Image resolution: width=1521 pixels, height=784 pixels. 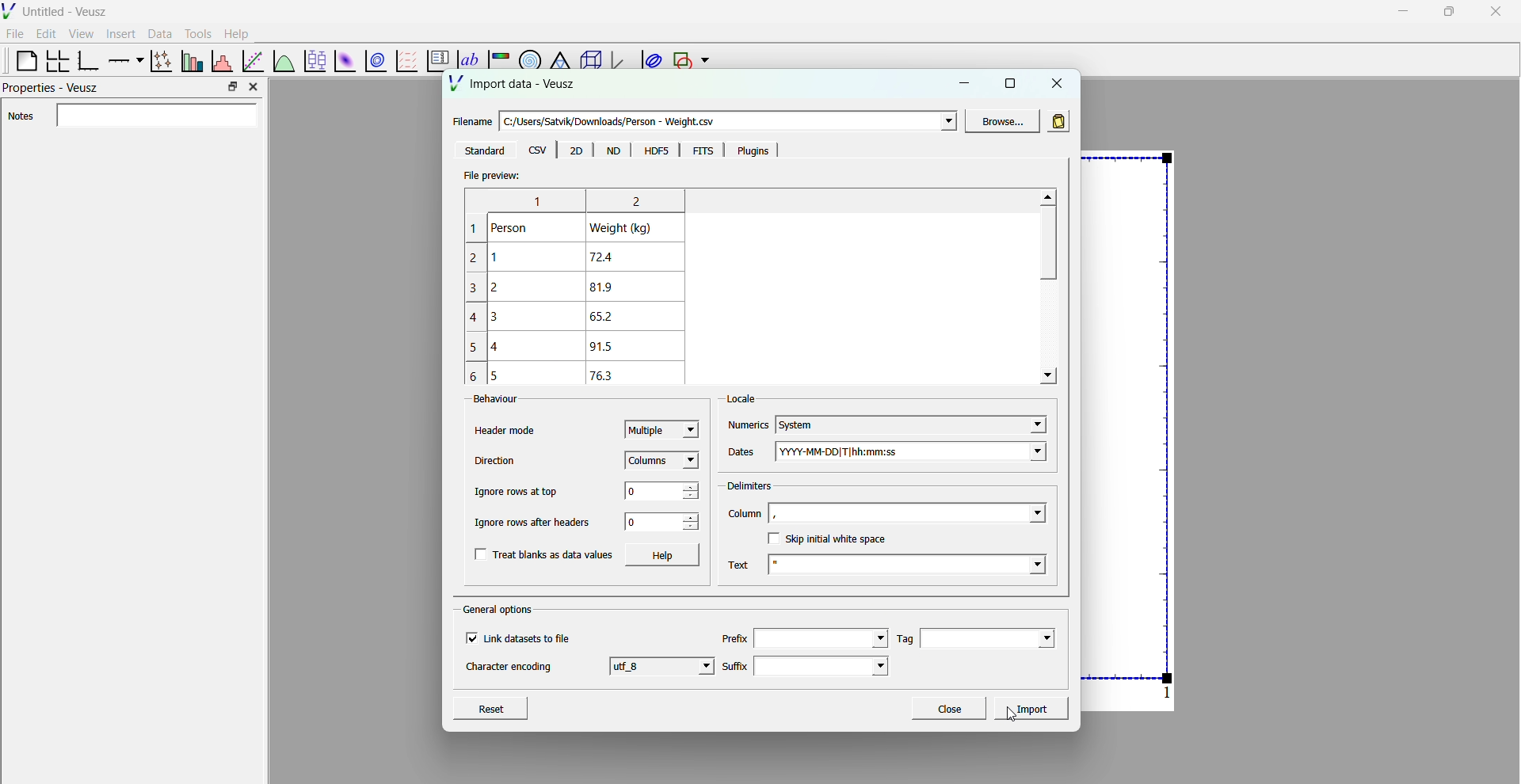 I want to click on 3d scene, so click(x=588, y=62).